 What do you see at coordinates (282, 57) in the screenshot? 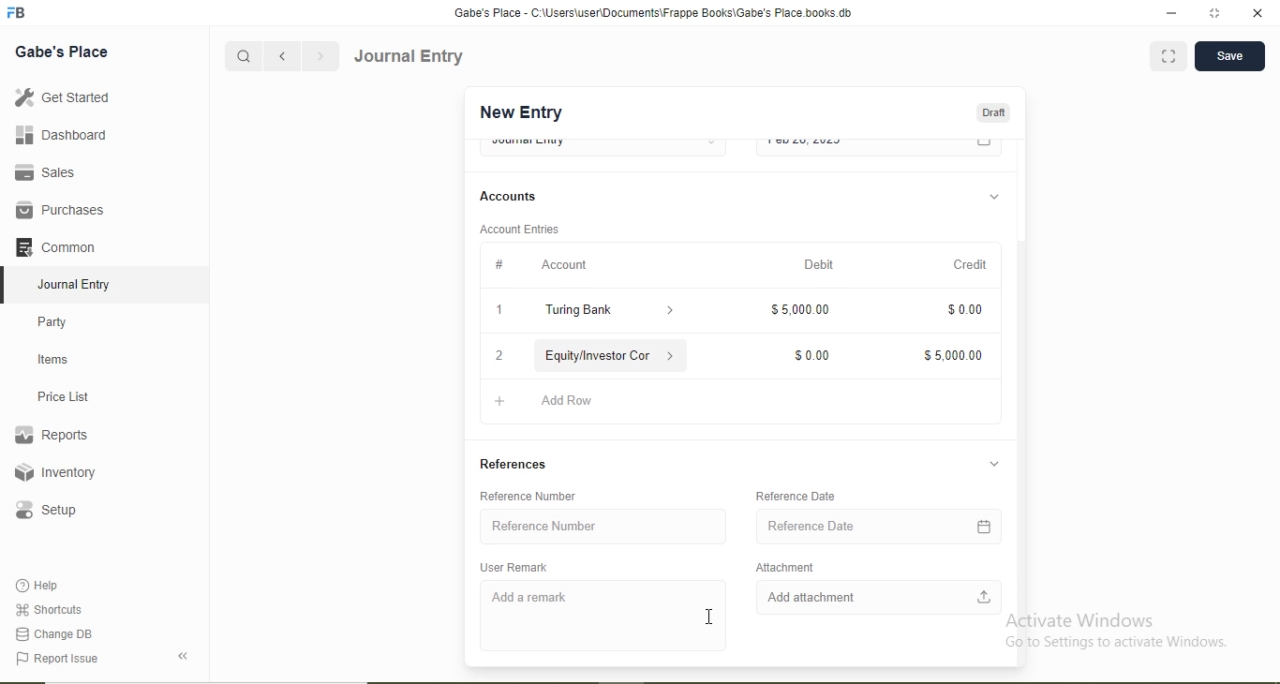
I see `Backward` at bounding box center [282, 57].